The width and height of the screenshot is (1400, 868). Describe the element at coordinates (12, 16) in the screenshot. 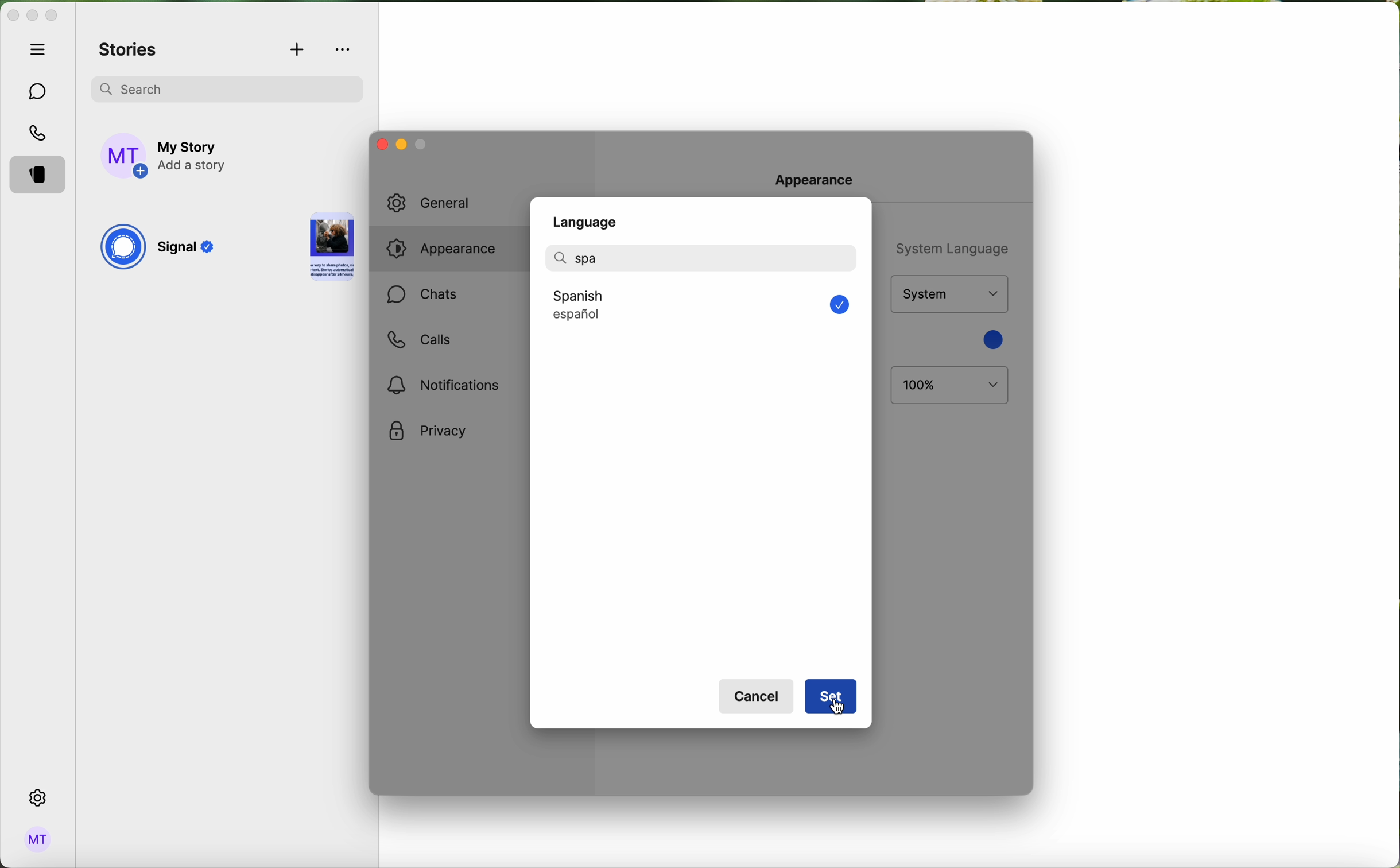

I see `close Signal` at that location.